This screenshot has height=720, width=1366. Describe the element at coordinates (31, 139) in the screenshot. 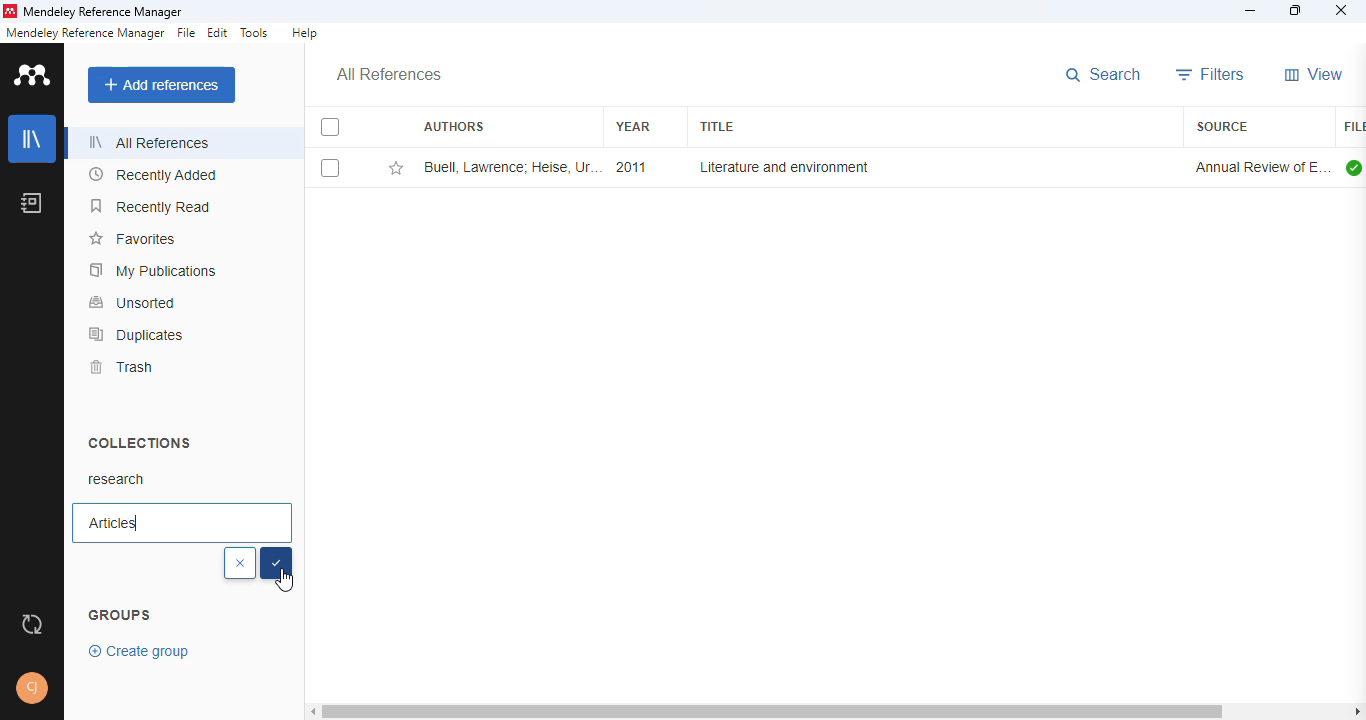

I see `library` at that location.